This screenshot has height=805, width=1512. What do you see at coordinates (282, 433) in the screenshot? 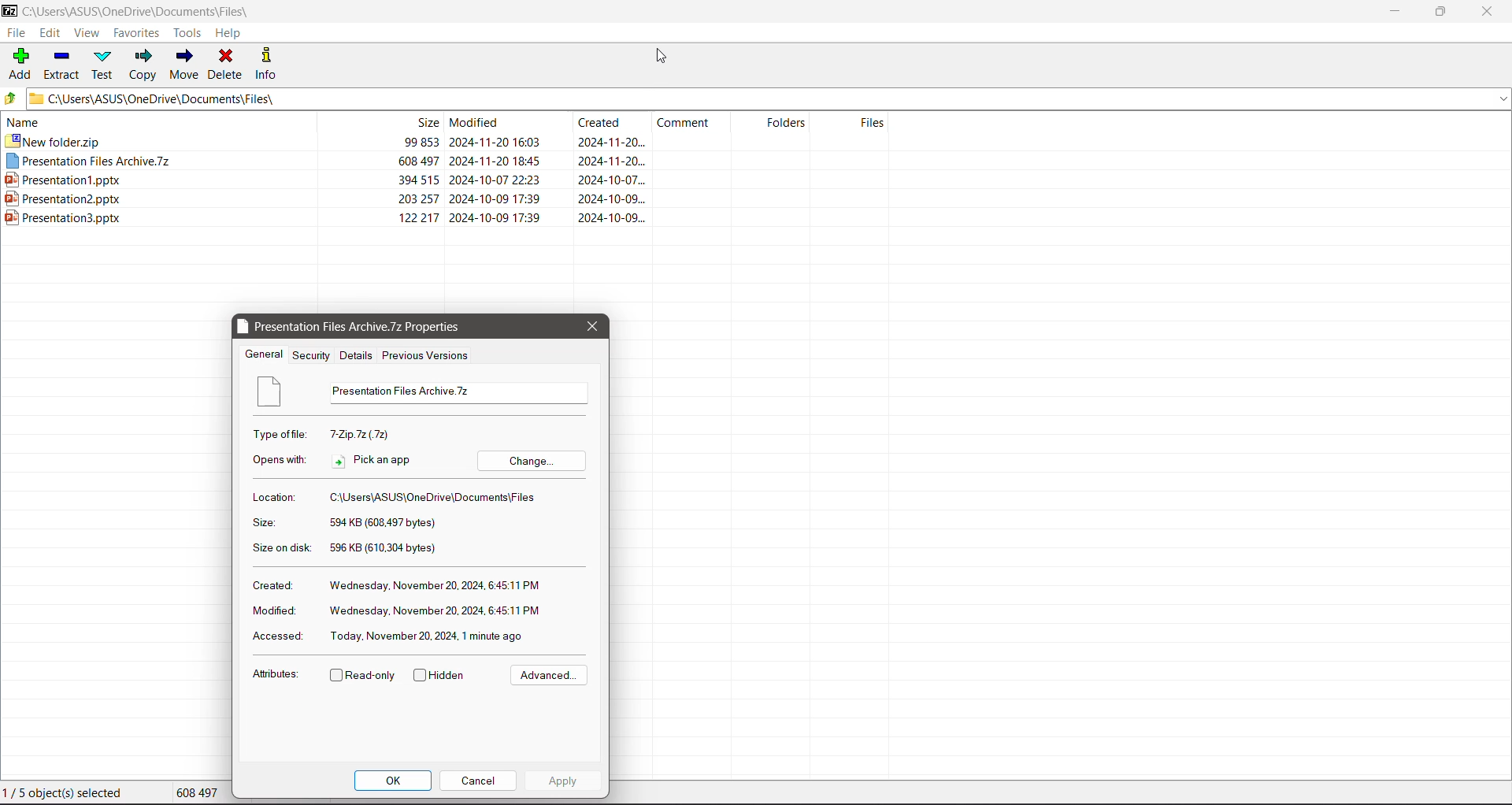
I see `Type of file` at bounding box center [282, 433].